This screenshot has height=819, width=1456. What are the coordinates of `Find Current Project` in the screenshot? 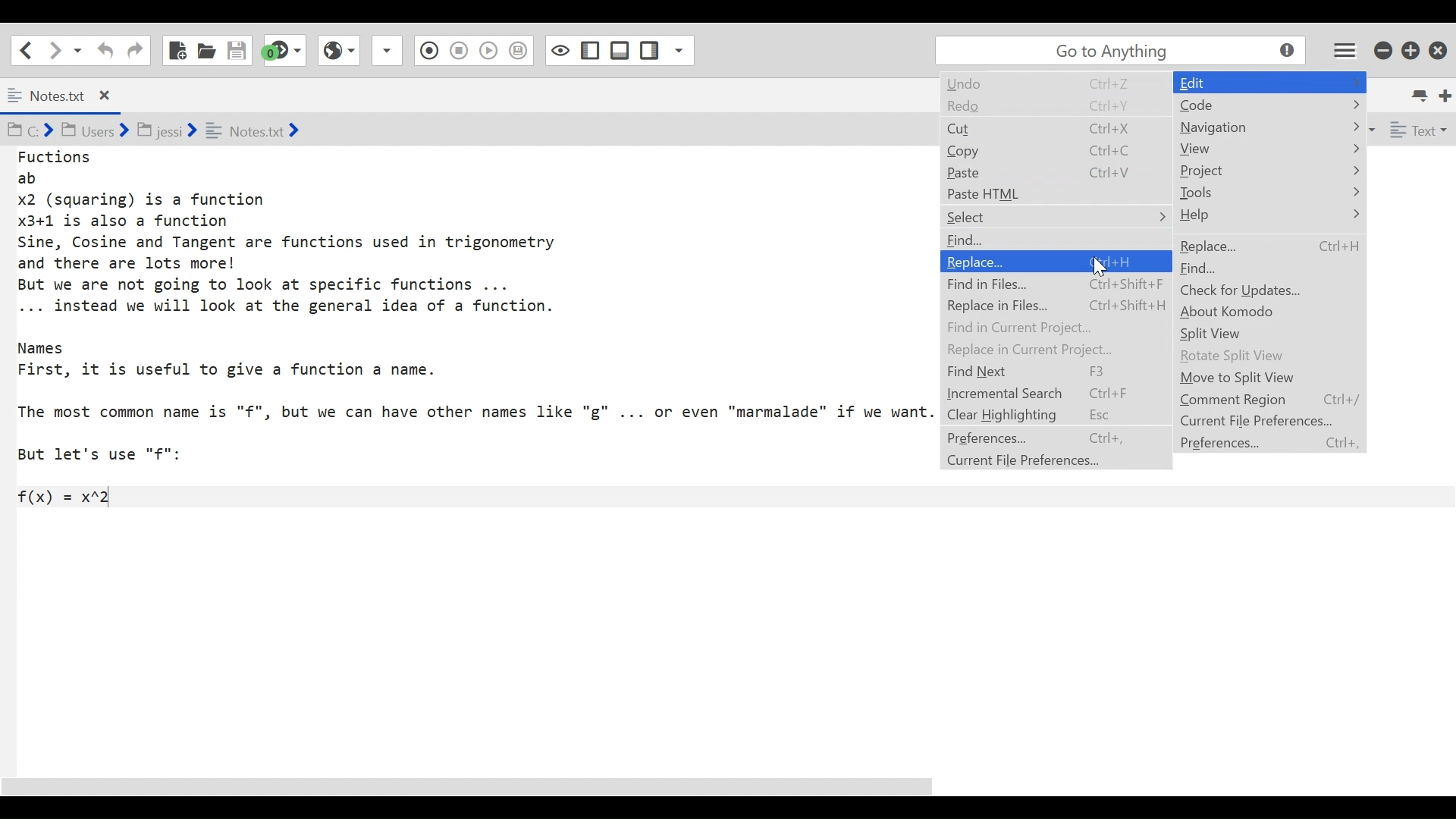 It's located at (1045, 326).